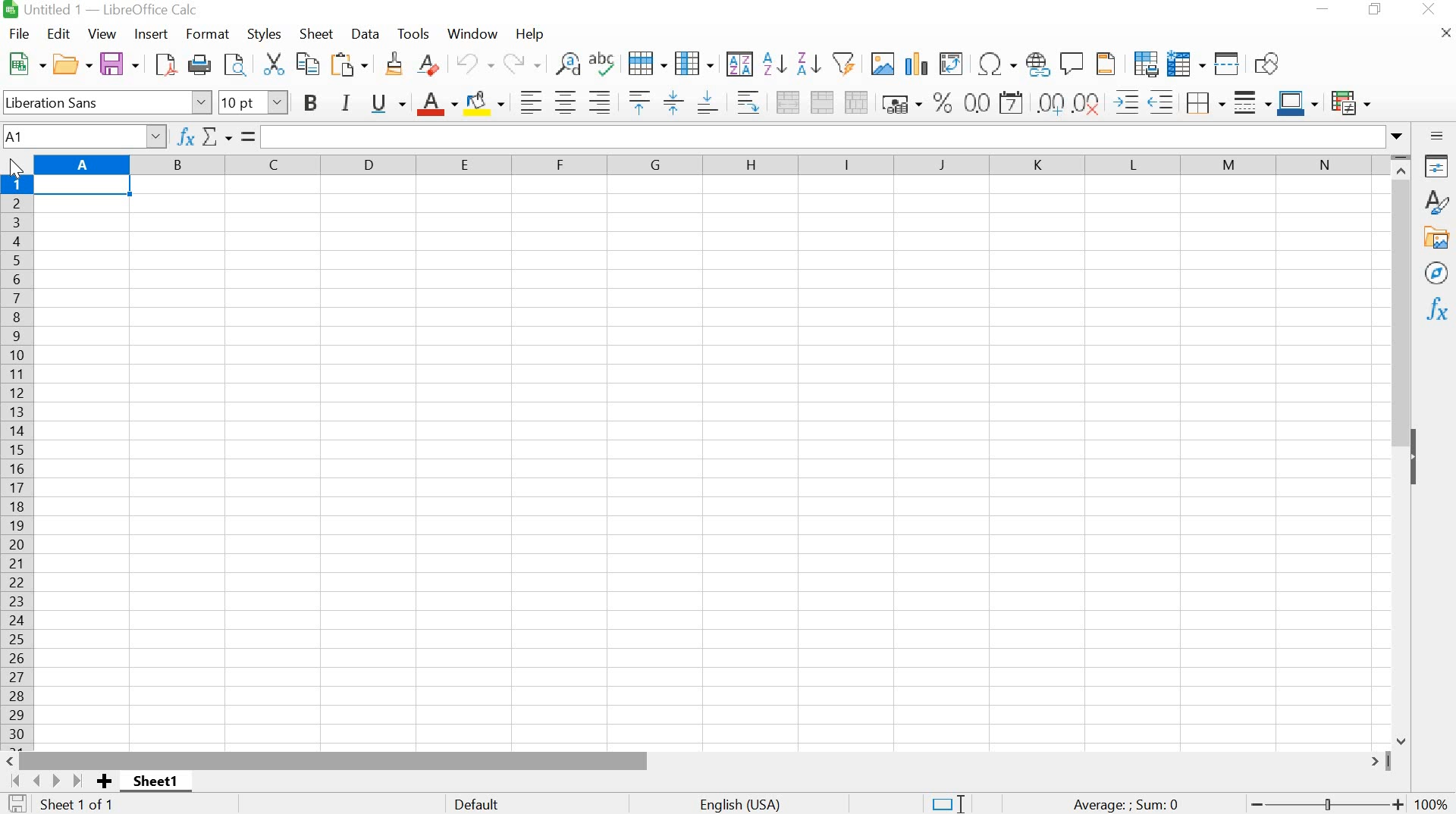 The image size is (1456, 814). I want to click on Center Vertically, so click(670, 104).